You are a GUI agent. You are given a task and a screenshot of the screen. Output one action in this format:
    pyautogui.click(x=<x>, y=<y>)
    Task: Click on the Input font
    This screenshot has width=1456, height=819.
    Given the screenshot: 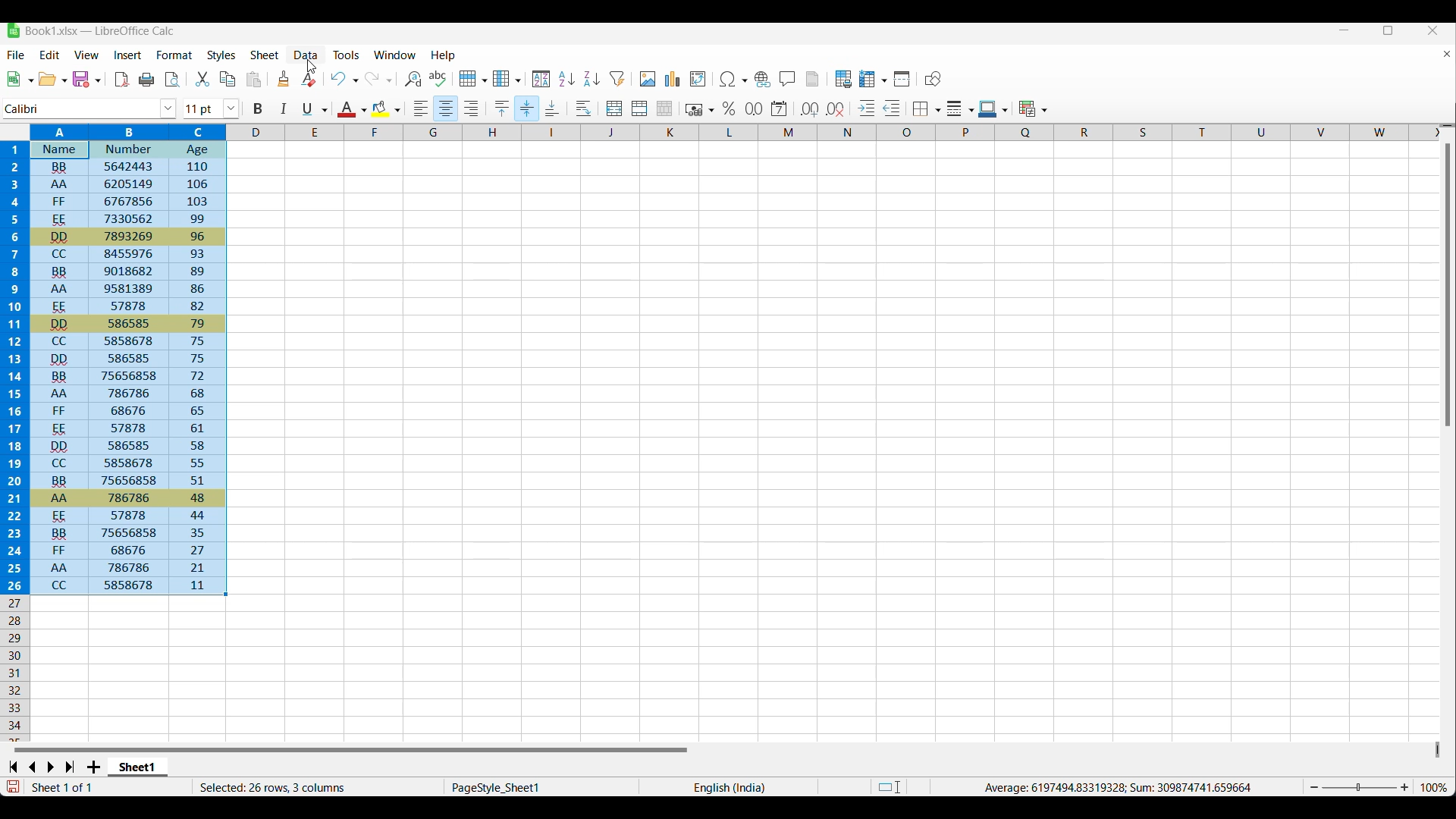 What is the action you would take?
    pyautogui.click(x=81, y=109)
    